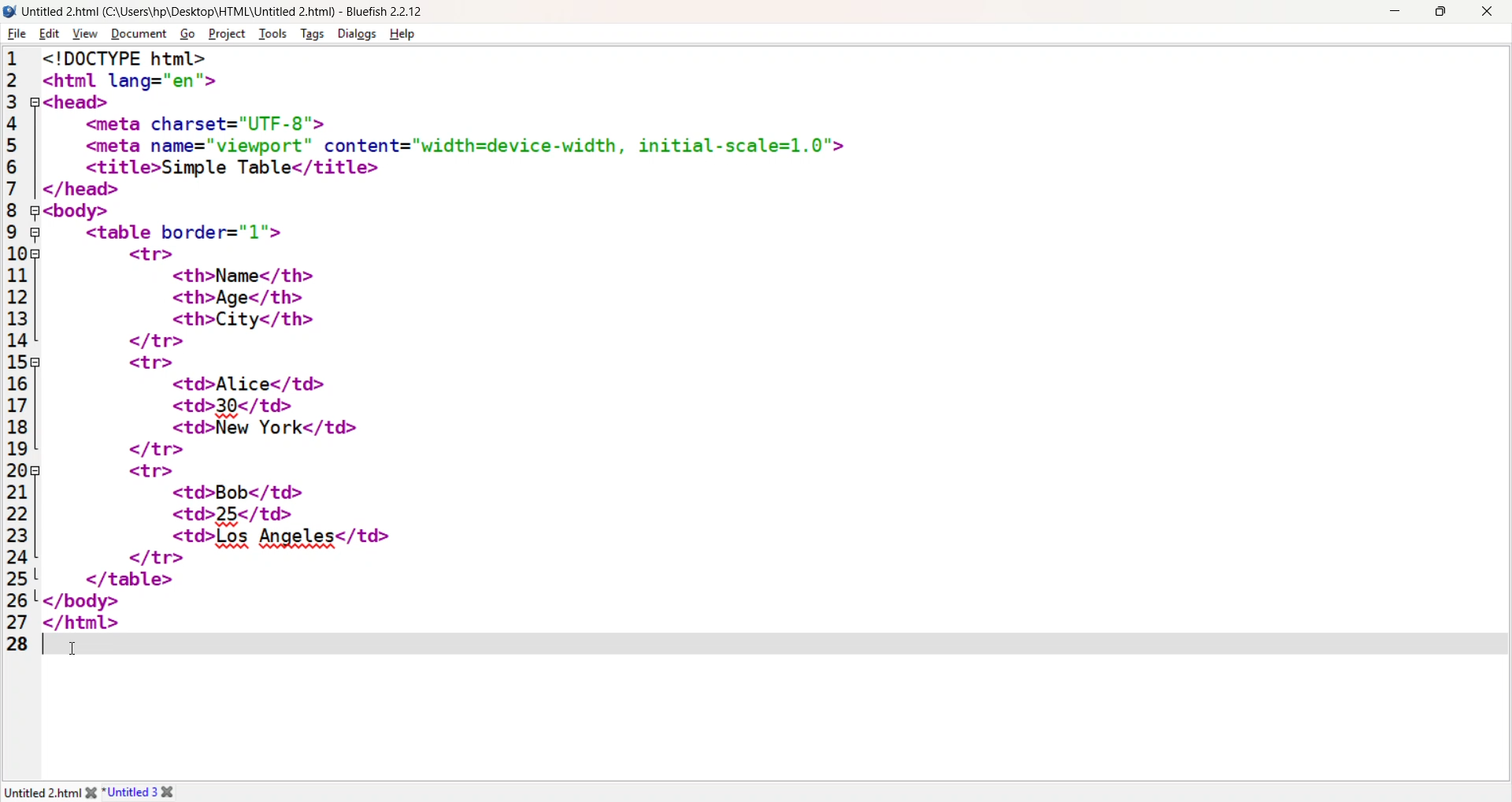 Image resolution: width=1512 pixels, height=802 pixels. I want to click on Untitled 2.html (C:\Users\hp\Desktop\HTML\Untitled 2.html) - Bluefish 2.2.12, so click(229, 9).